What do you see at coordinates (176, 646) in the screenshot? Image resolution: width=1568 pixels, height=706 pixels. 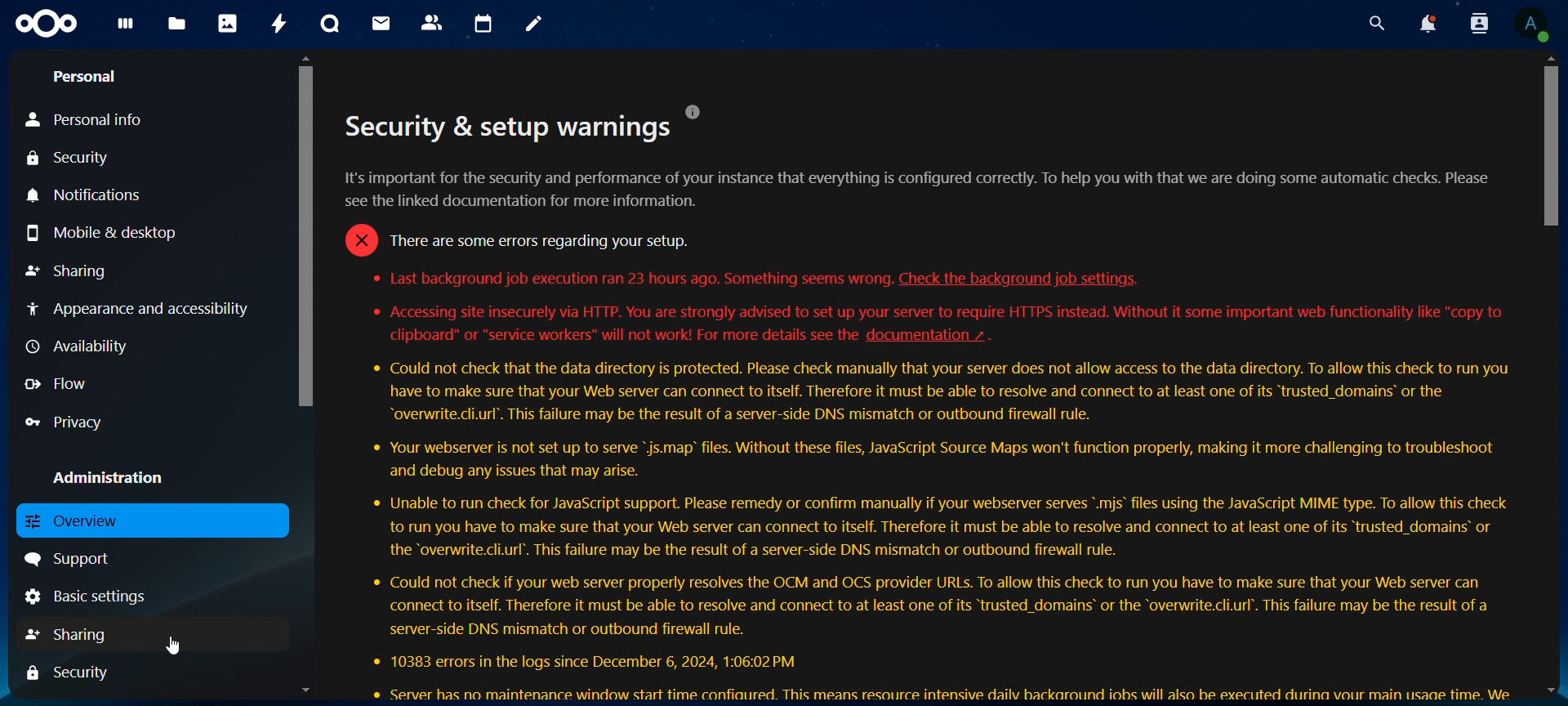 I see `Cursor` at bounding box center [176, 646].